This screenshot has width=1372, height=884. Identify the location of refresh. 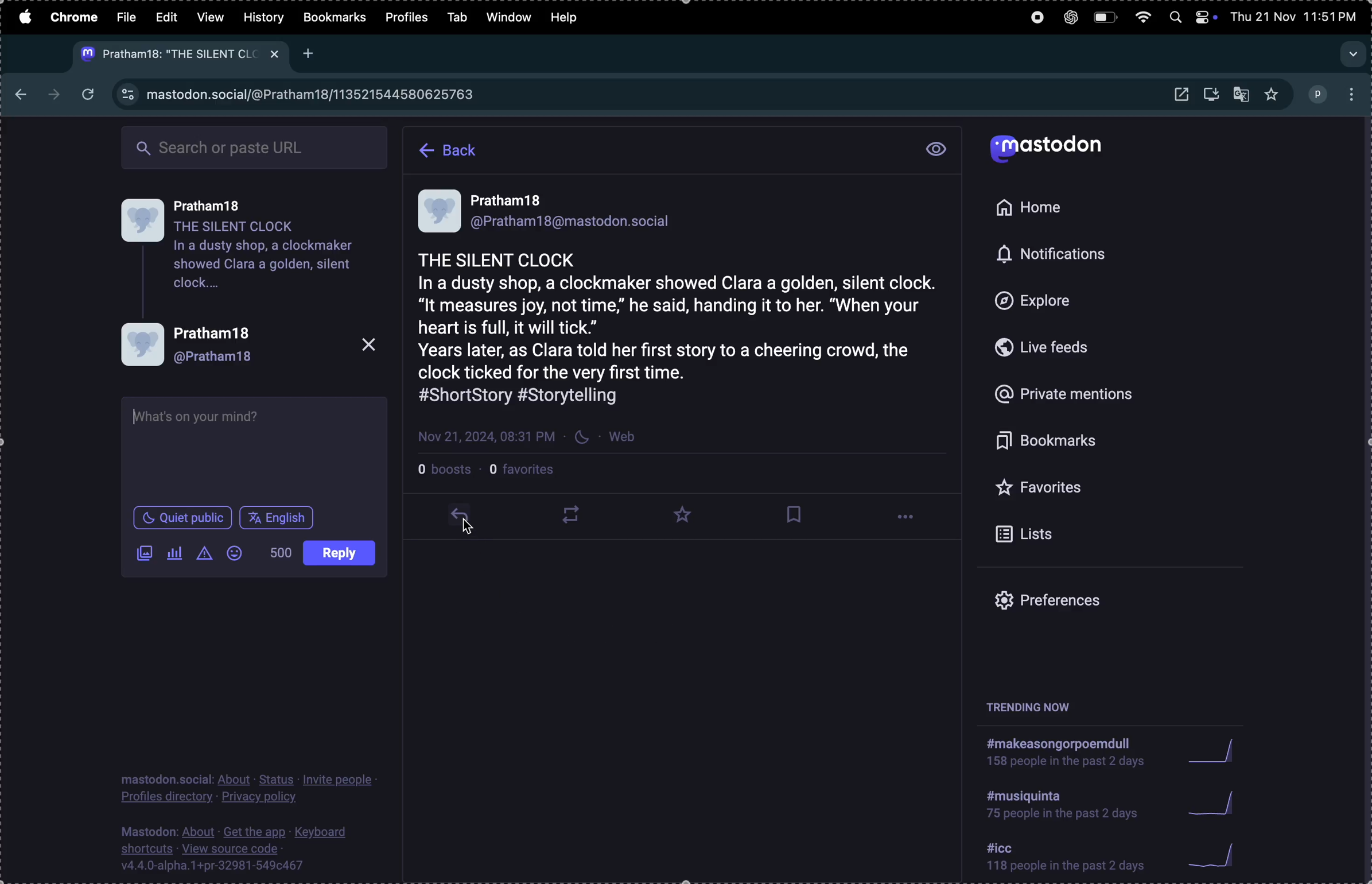
(88, 94).